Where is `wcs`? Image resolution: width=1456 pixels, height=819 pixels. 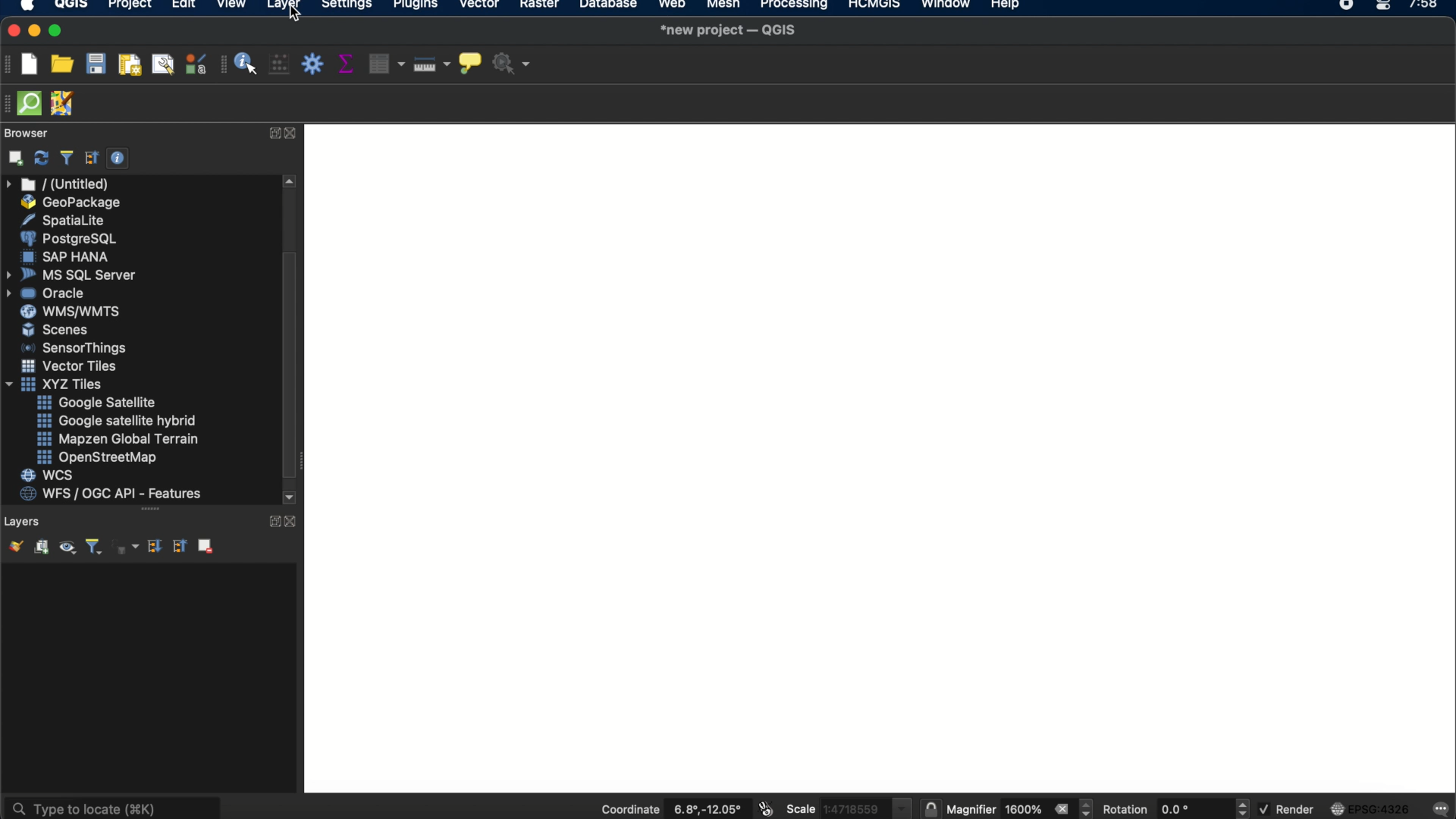
wcs is located at coordinates (49, 476).